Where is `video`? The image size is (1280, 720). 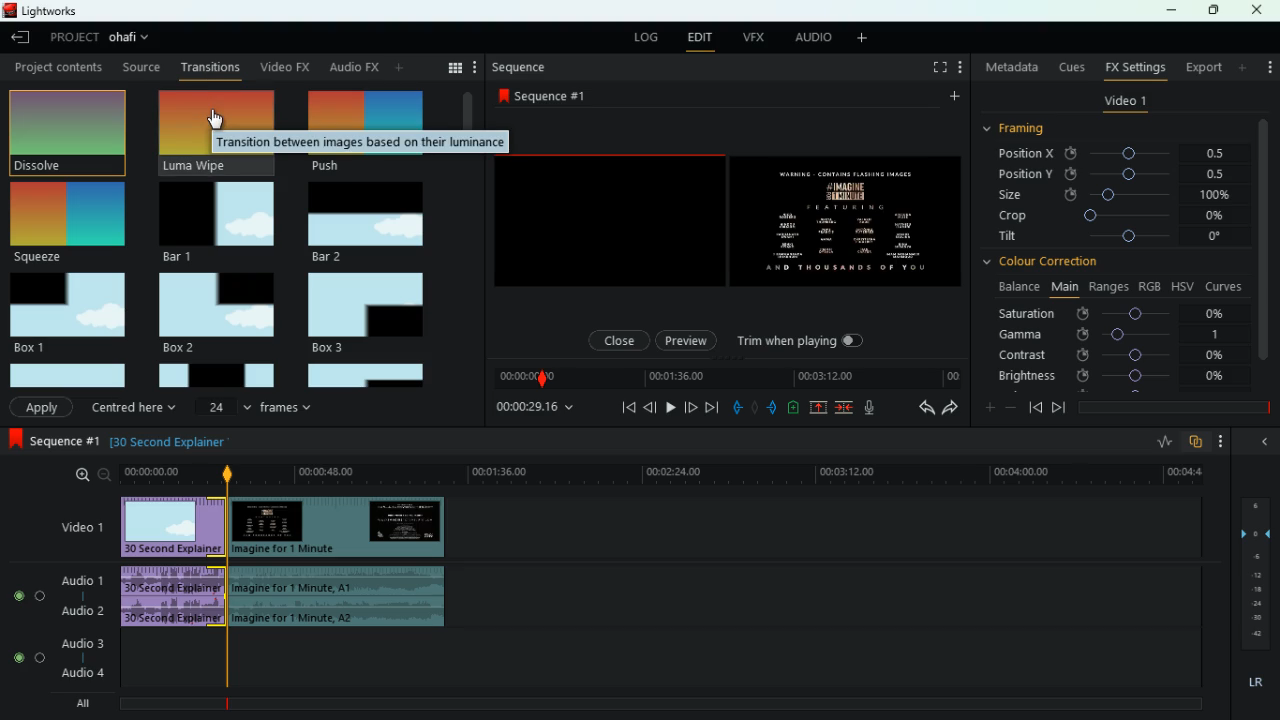 video is located at coordinates (342, 527).